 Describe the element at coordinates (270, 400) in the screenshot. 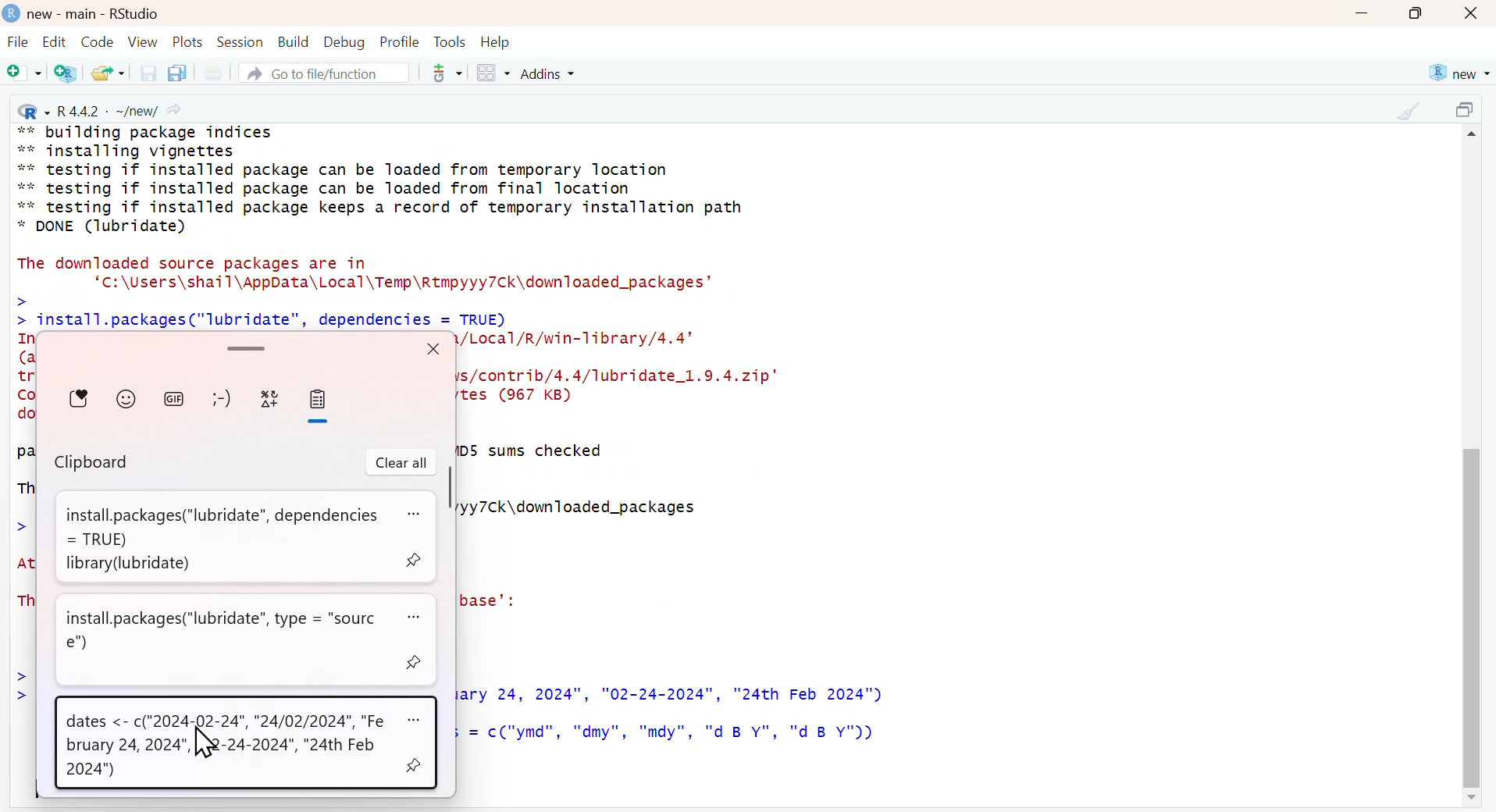

I see `special characters` at that location.